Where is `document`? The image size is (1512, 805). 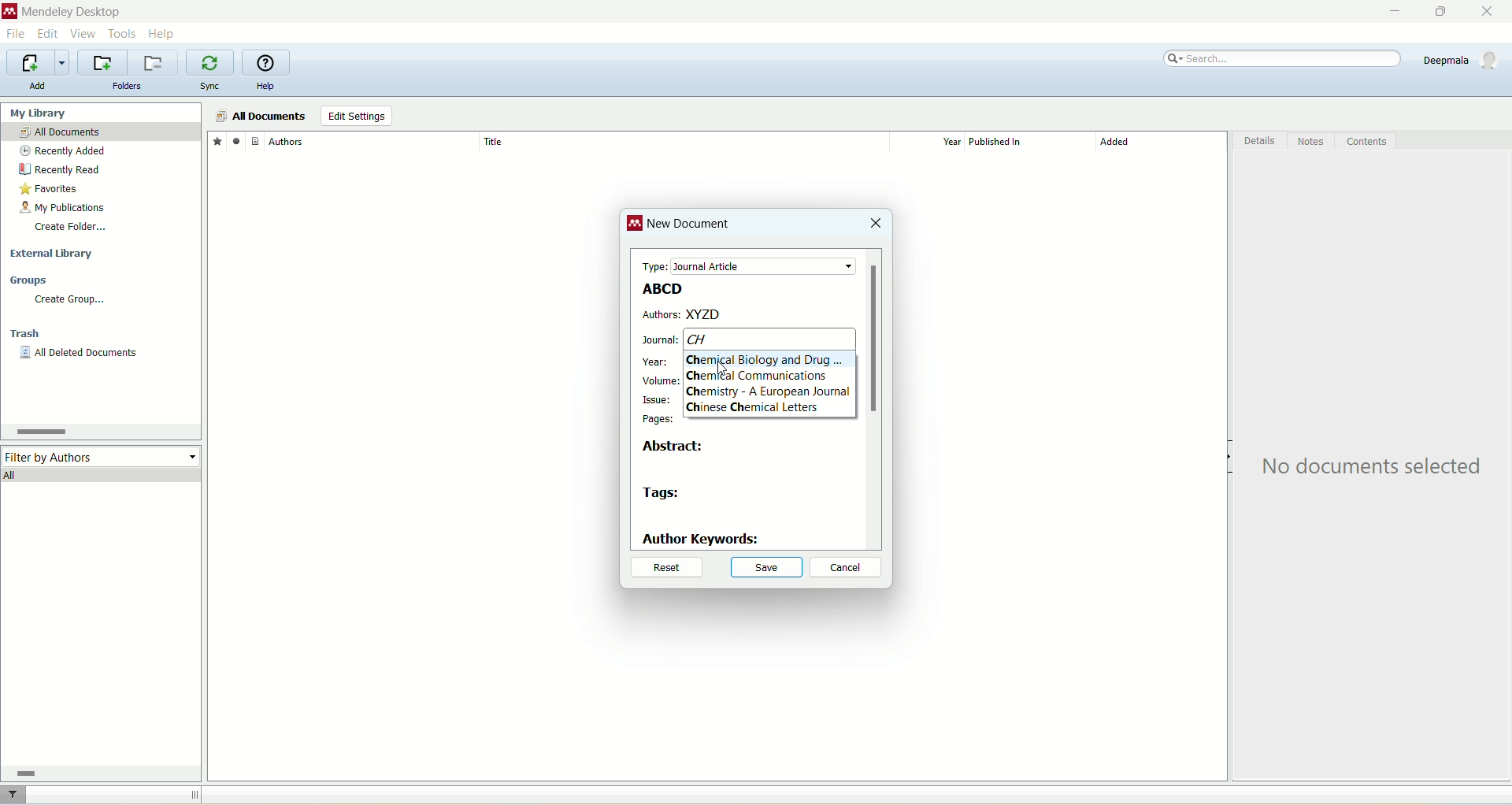 document is located at coordinates (255, 140).